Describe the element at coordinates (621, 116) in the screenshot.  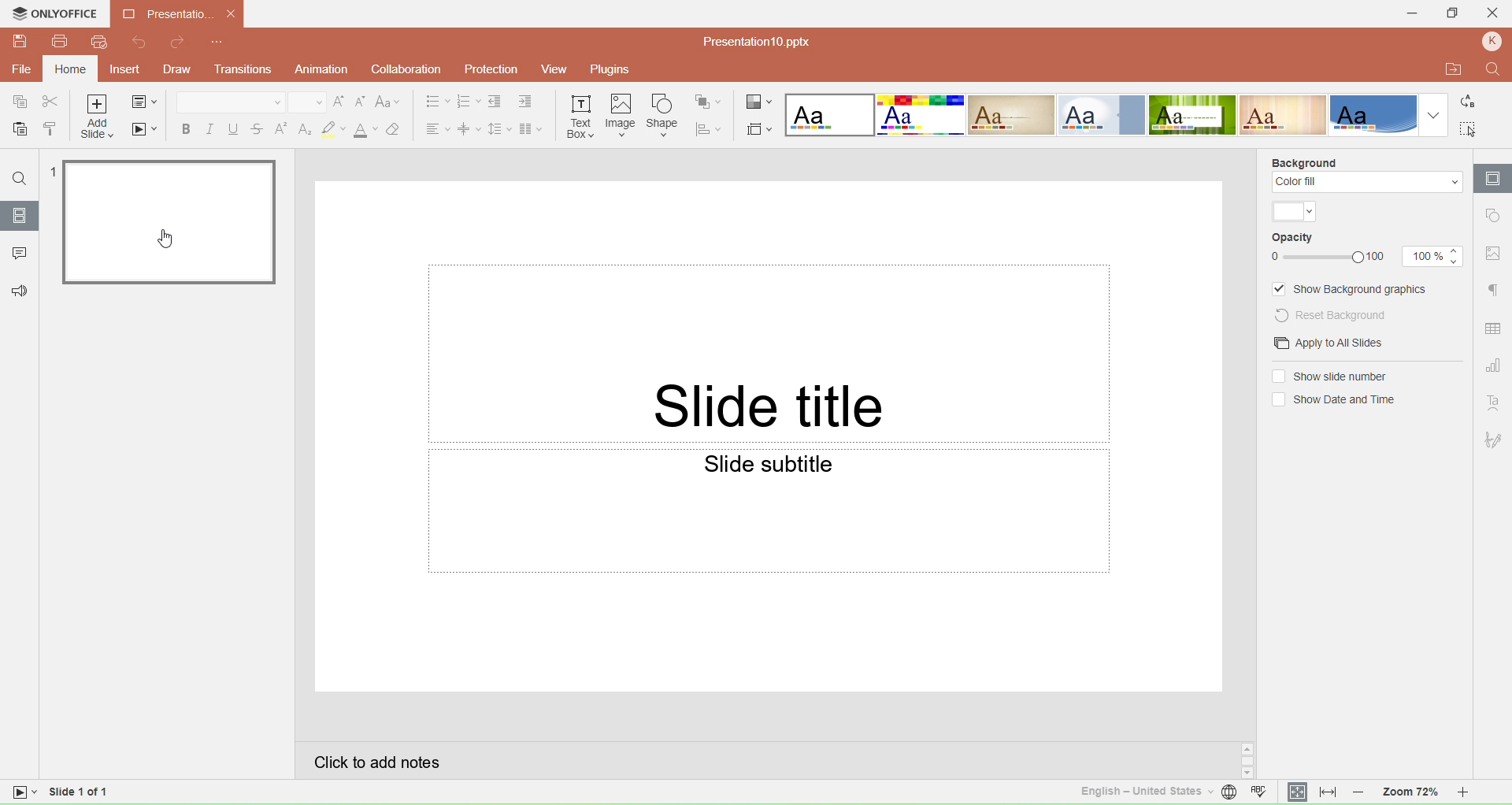
I see `Insert image` at that location.